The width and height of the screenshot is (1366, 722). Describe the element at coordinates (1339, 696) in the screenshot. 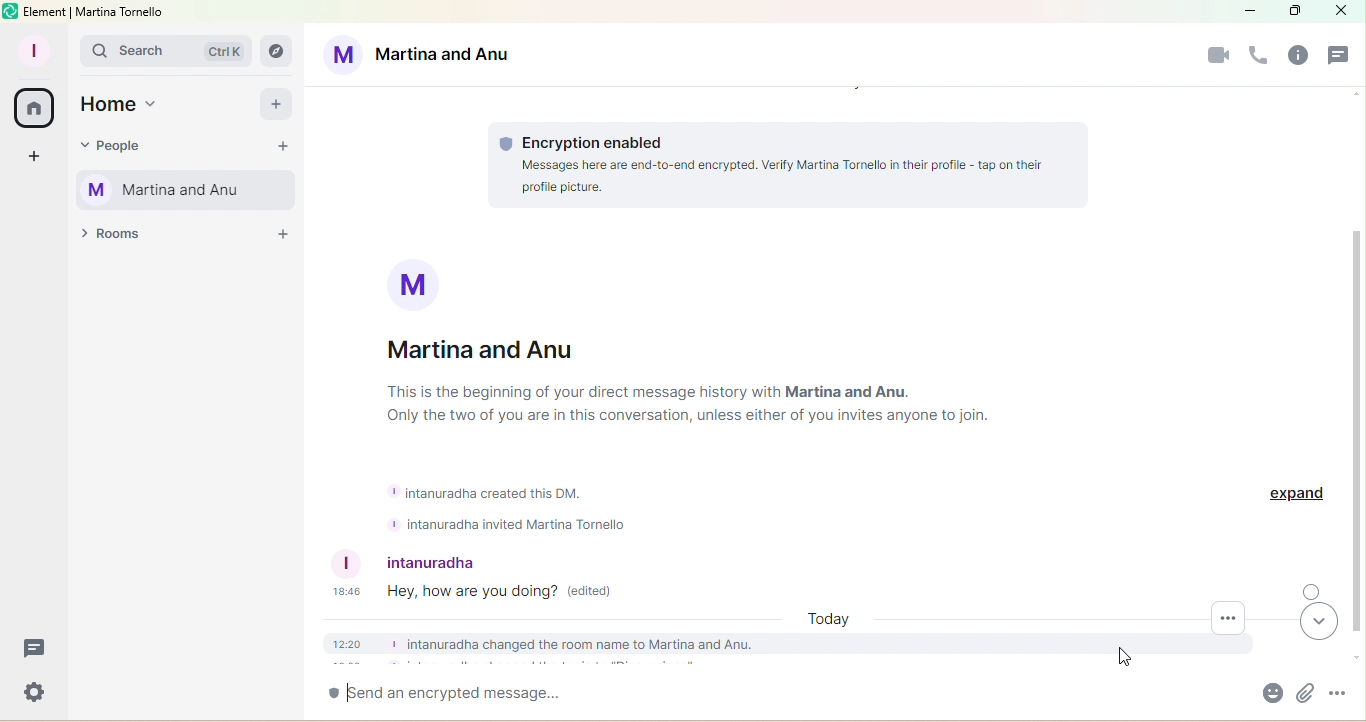

I see `More Options` at that location.